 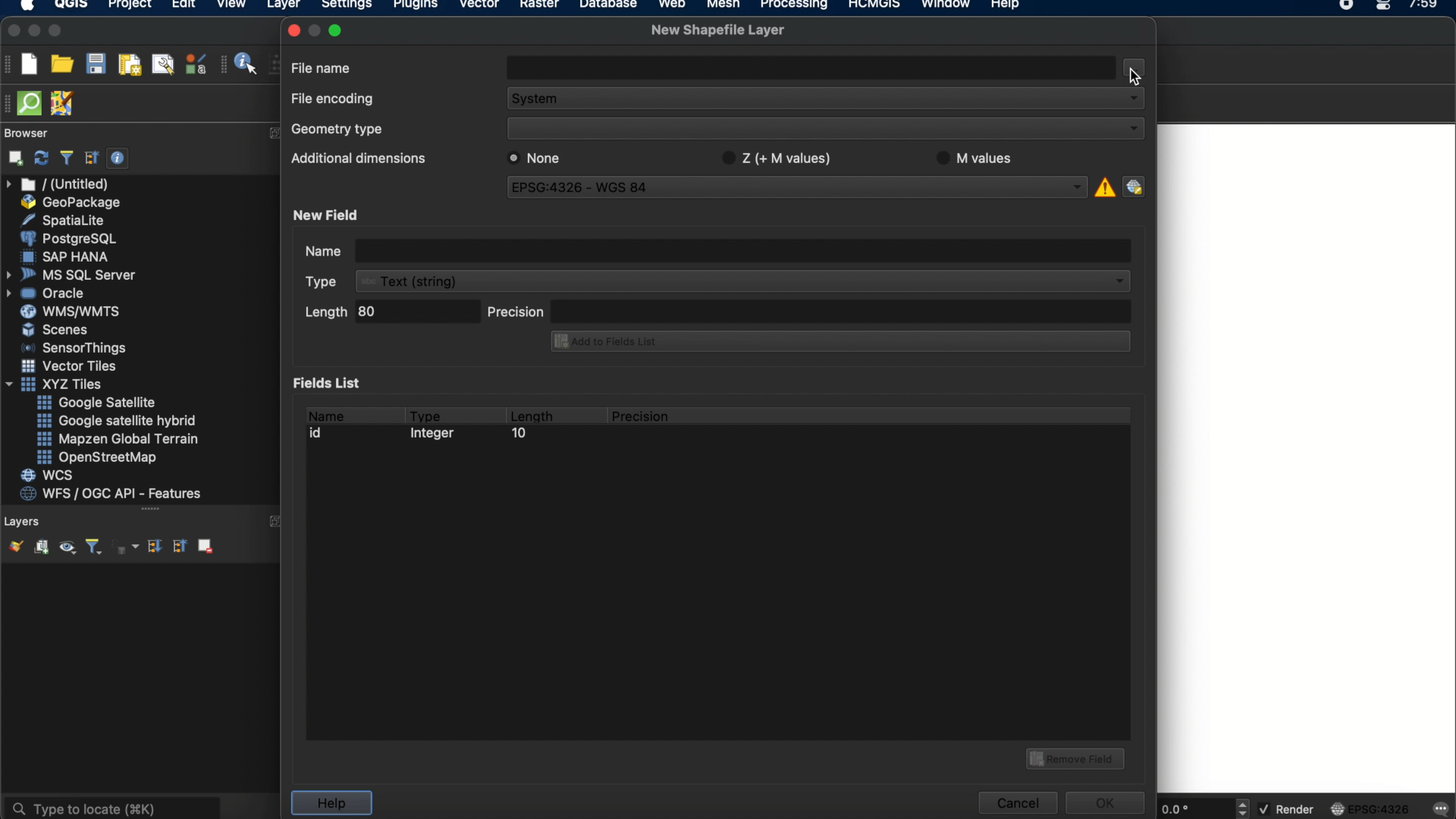 I want to click on Z (+M values, so click(x=775, y=158).